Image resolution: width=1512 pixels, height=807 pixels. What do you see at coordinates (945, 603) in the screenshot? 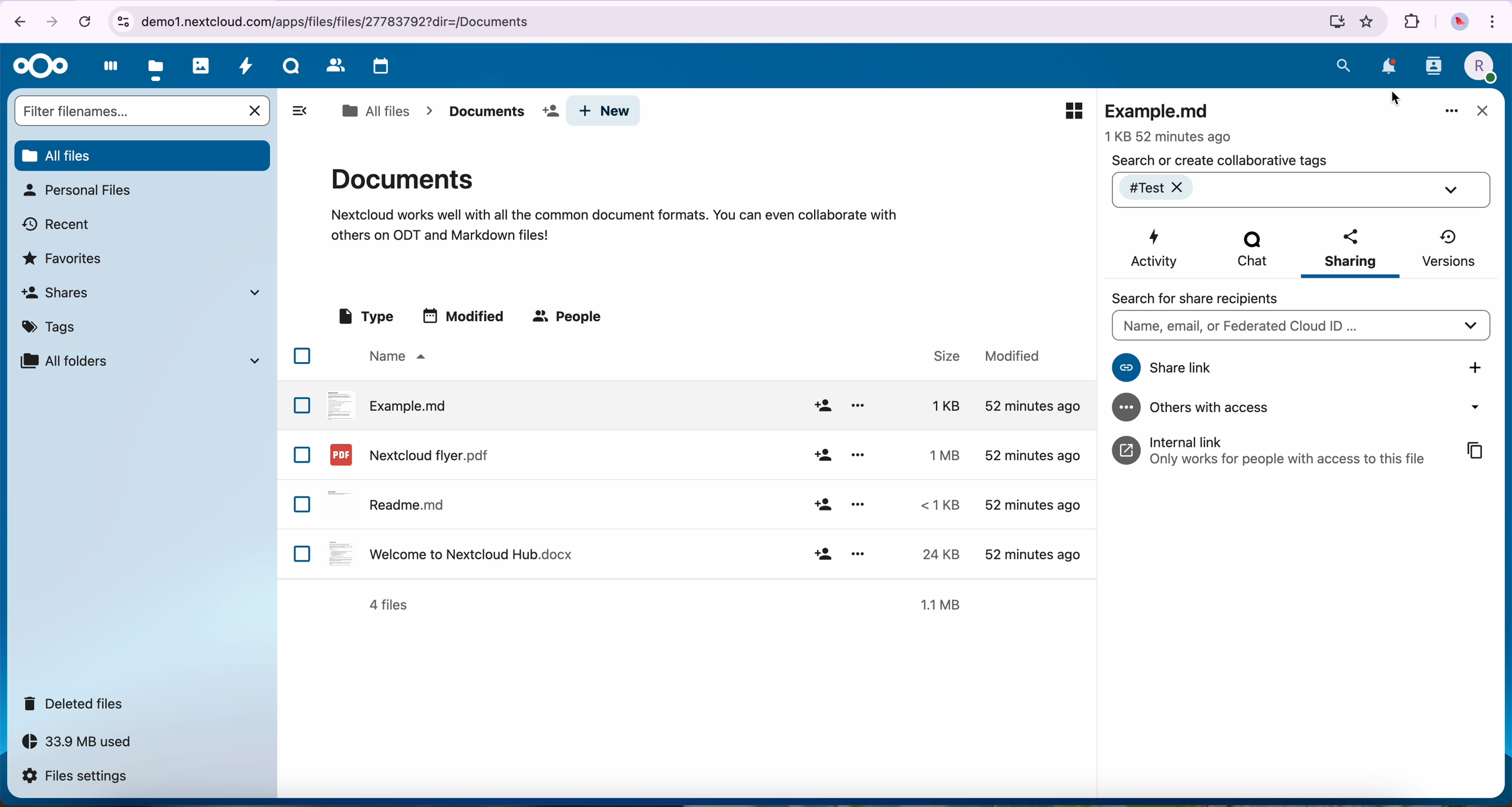
I see `1.1MB` at bounding box center [945, 603].